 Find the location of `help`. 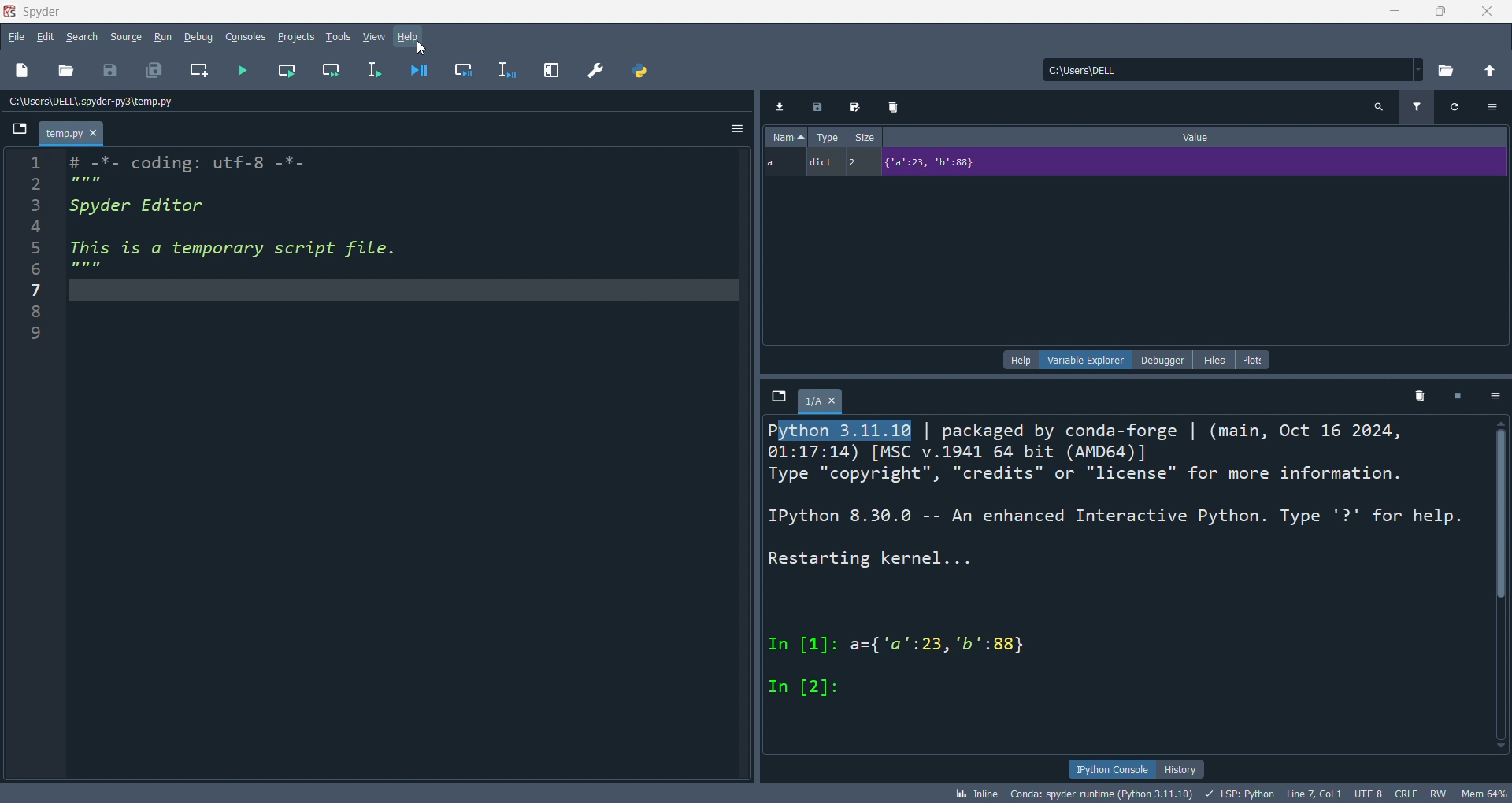

help is located at coordinates (410, 39).